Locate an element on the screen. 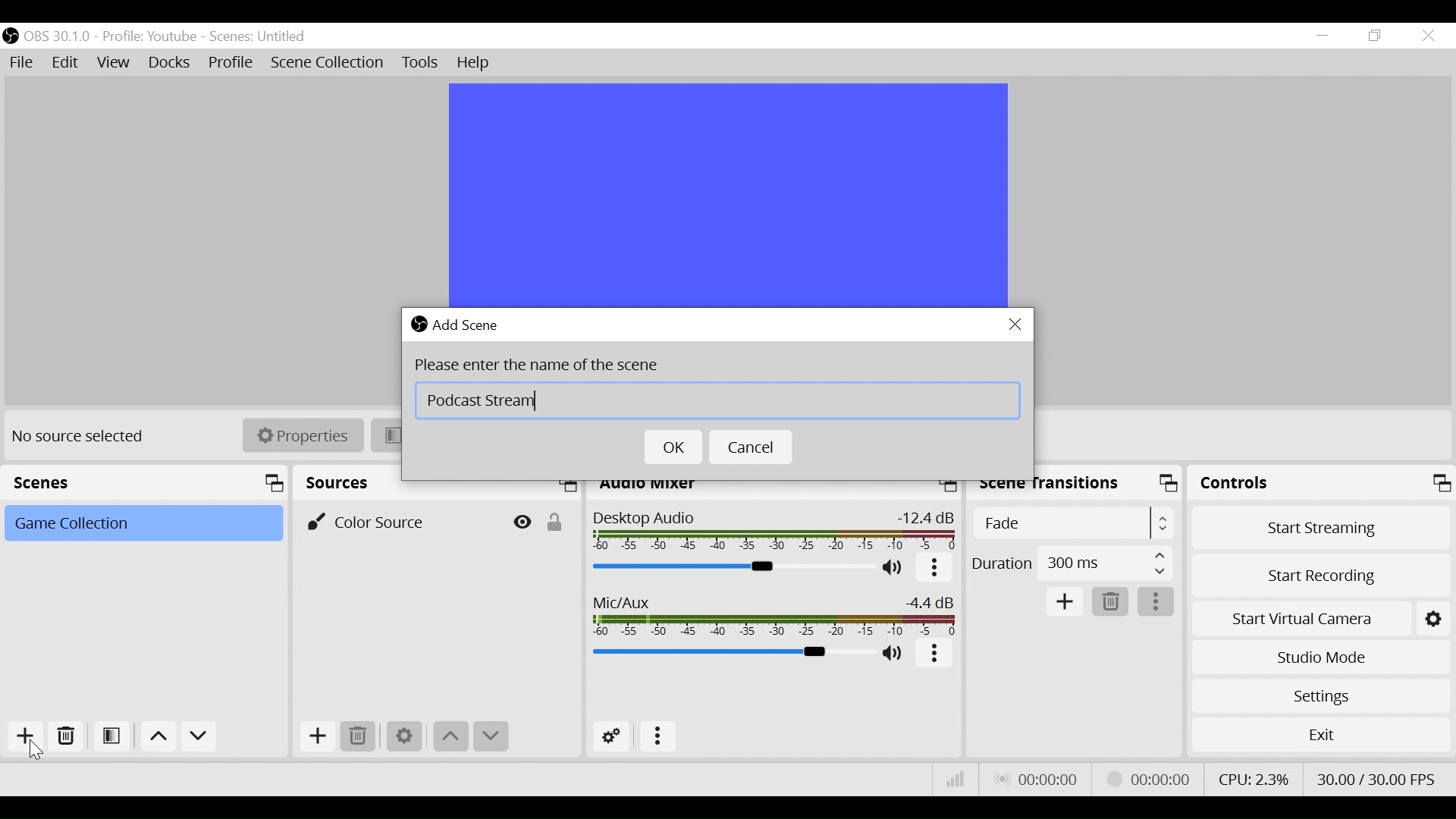 This screenshot has width=1456, height=819. move up is located at coordinates (449, 737).